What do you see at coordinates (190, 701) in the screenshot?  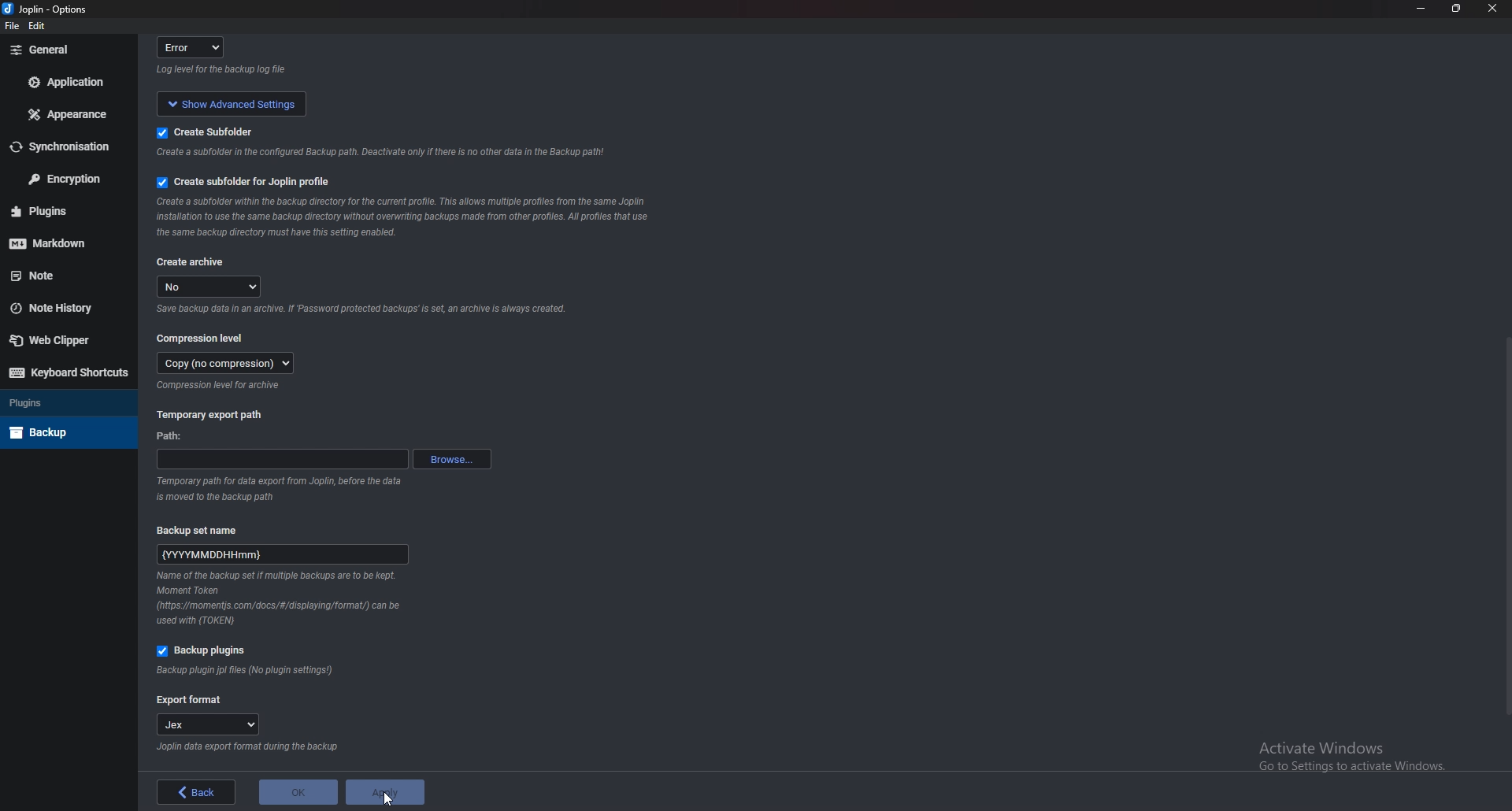 I see `Export format` at bounding box center [190, 701].